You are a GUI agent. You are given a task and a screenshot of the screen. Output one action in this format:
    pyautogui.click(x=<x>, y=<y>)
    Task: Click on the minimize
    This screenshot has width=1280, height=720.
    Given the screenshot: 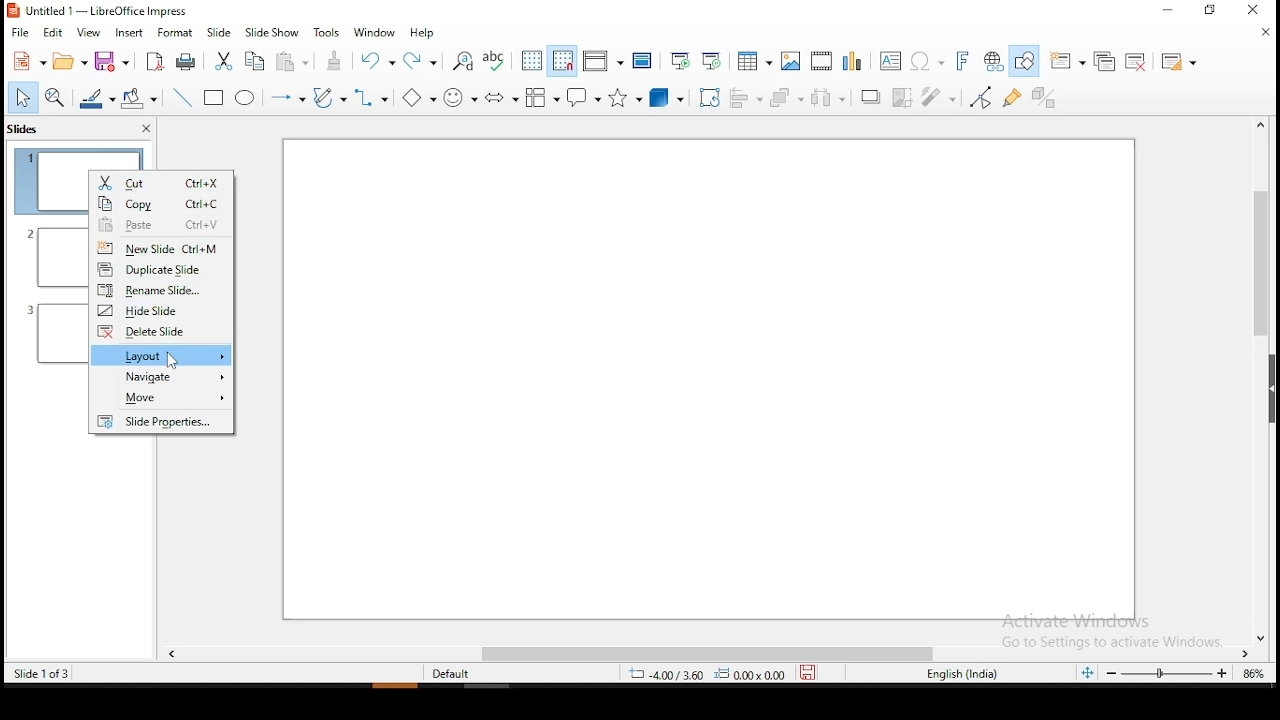 What is the action you would take?
    pyautogui.click(x=1167, y=11)
    